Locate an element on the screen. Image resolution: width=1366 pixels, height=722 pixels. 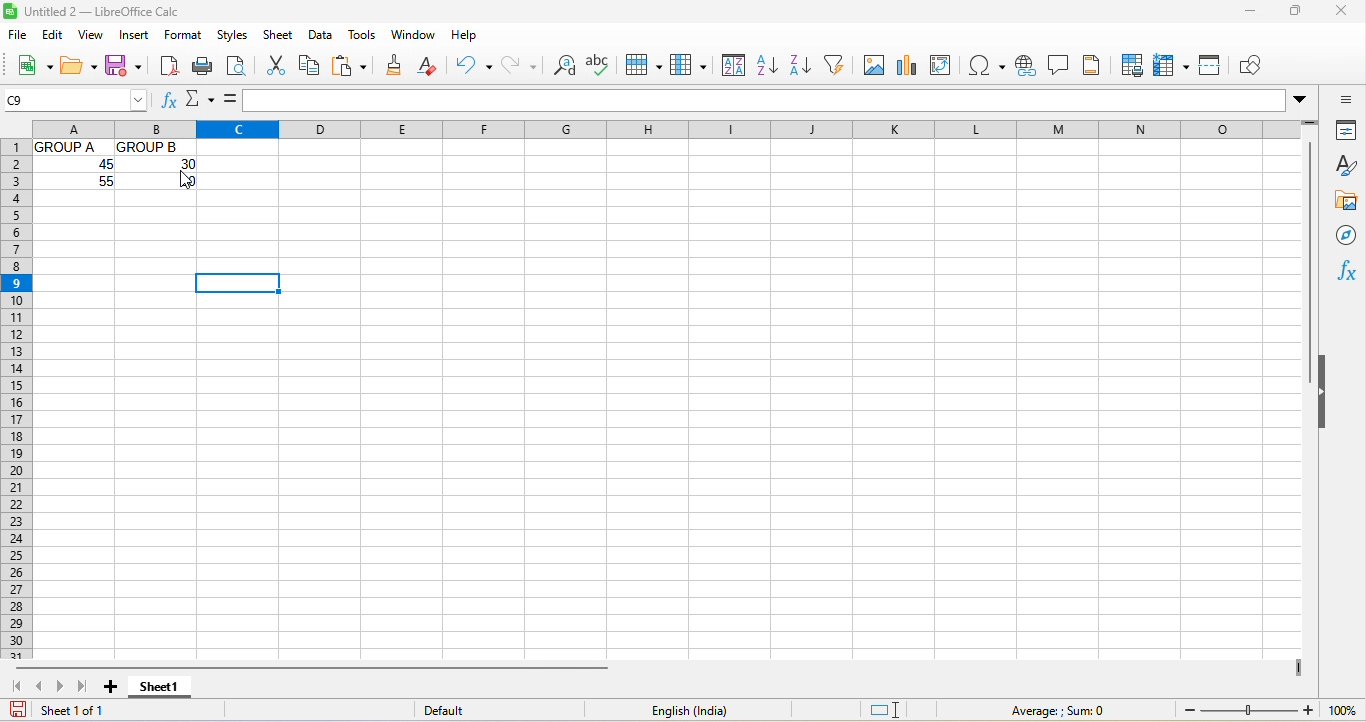
30 is located at coordinates (157, 164).